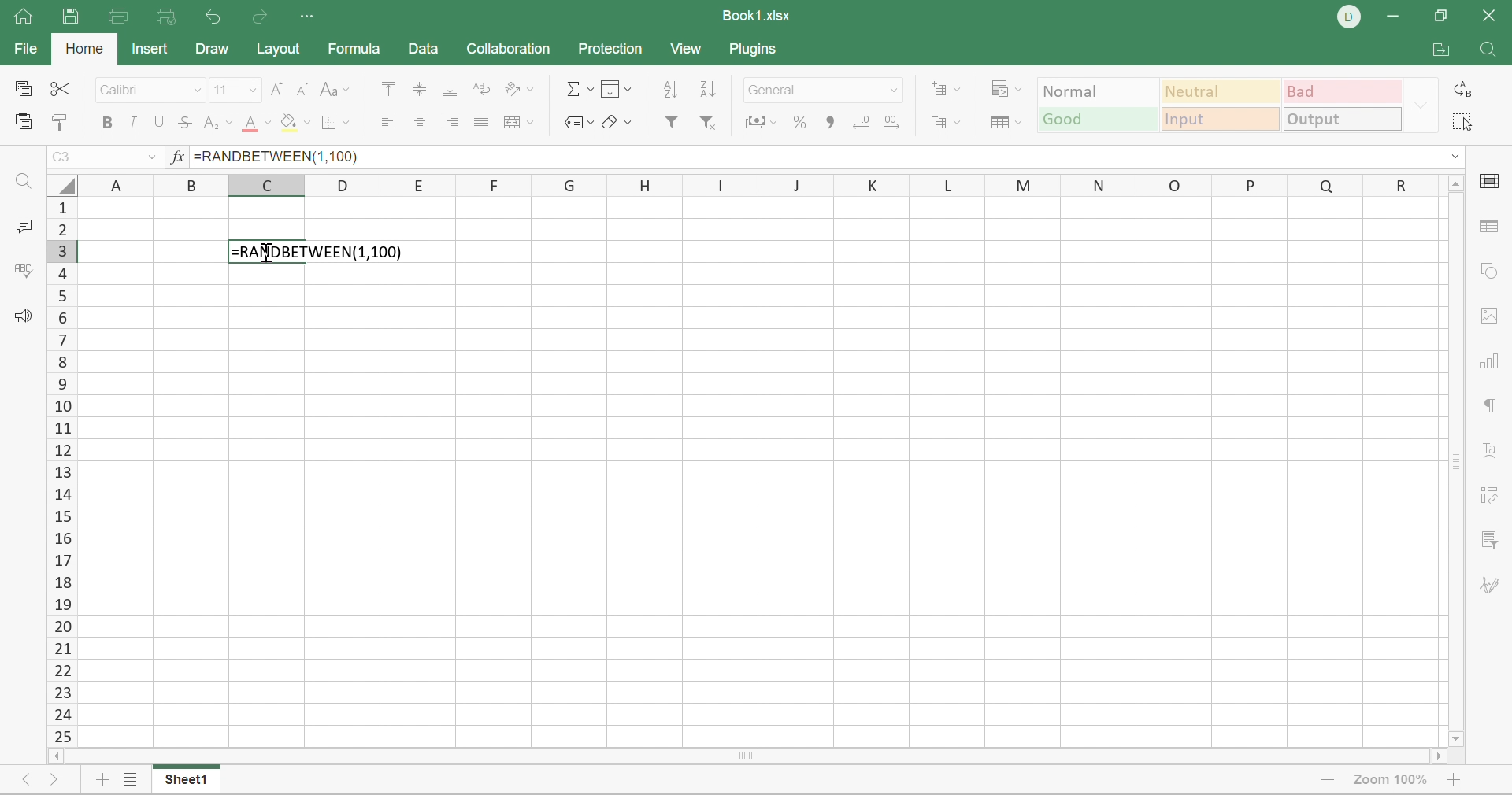 Image resolution: width=1512 pixels, height=795 pixels. I want to click on Increment font size, so click(278, 89).